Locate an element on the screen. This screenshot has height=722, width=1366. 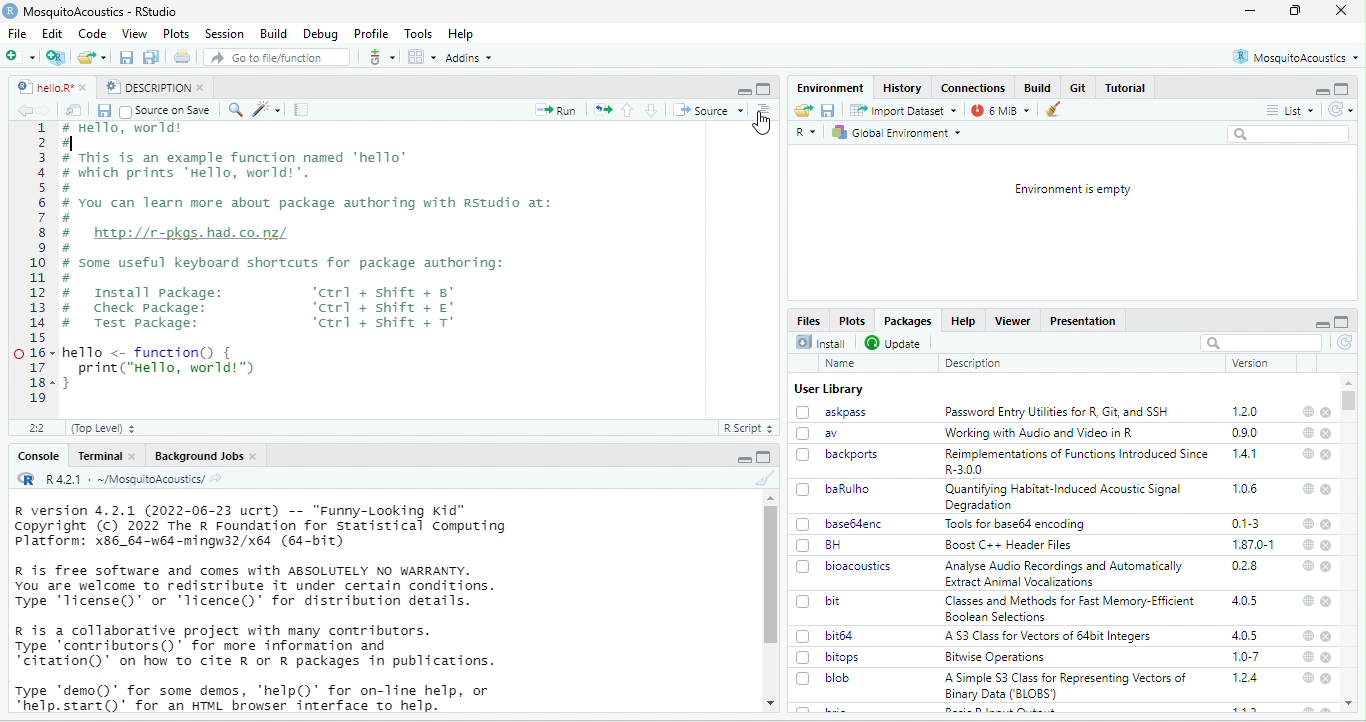
Description is located at coordinates (973, 363).